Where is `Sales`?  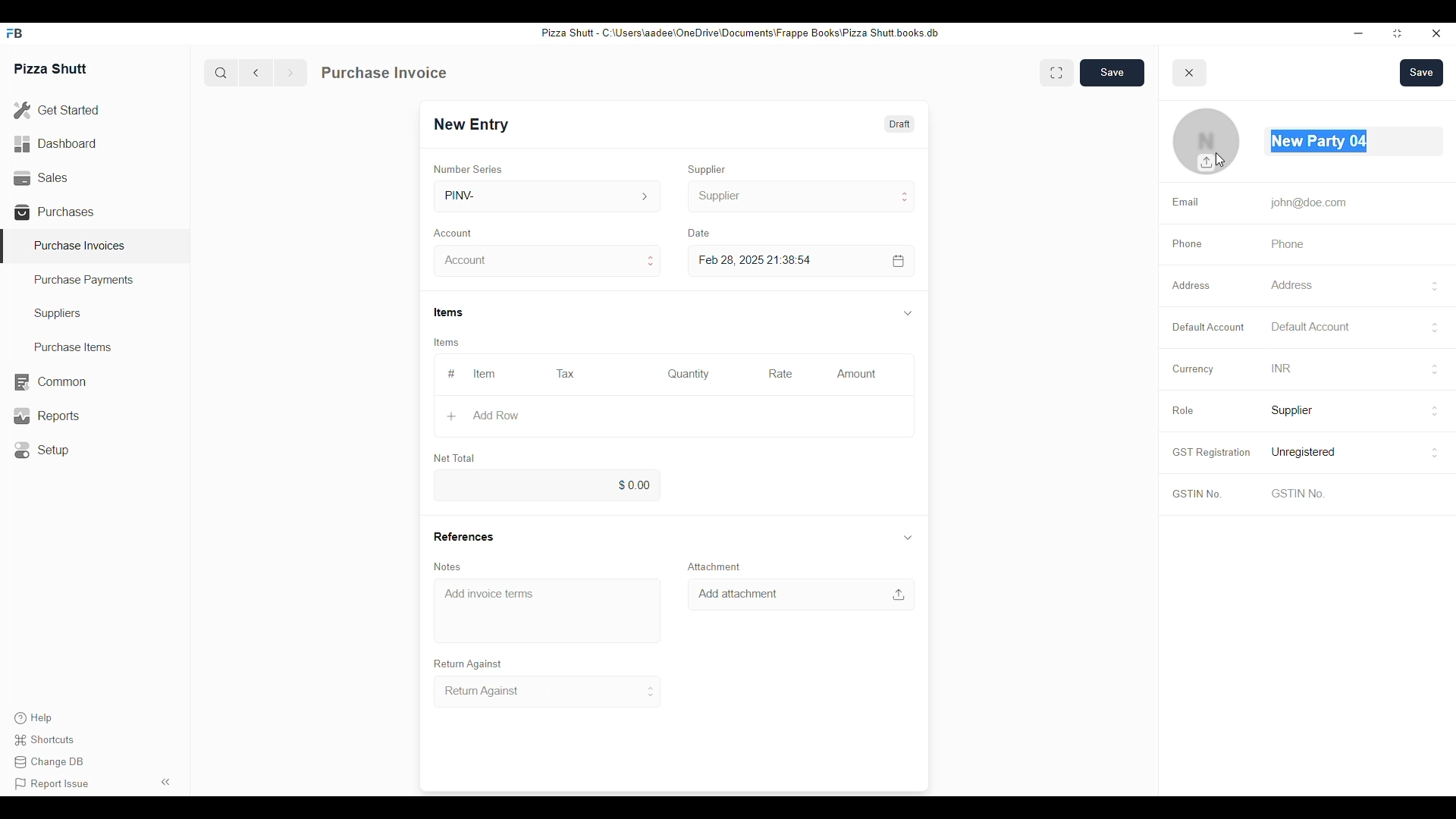 Sales is located at coordinates (39, 176).